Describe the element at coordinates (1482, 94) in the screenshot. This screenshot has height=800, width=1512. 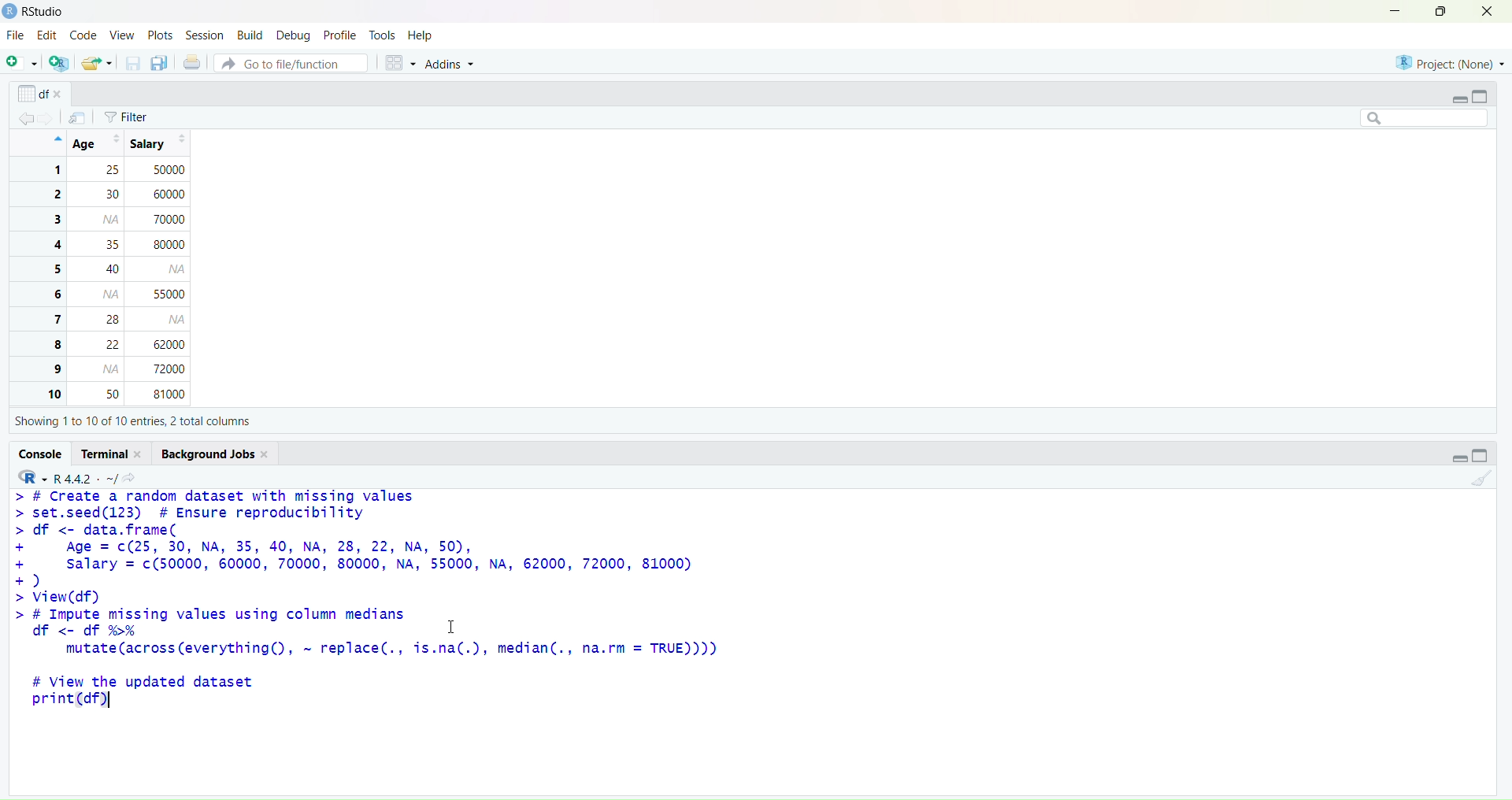
I see `collapse` at that location.